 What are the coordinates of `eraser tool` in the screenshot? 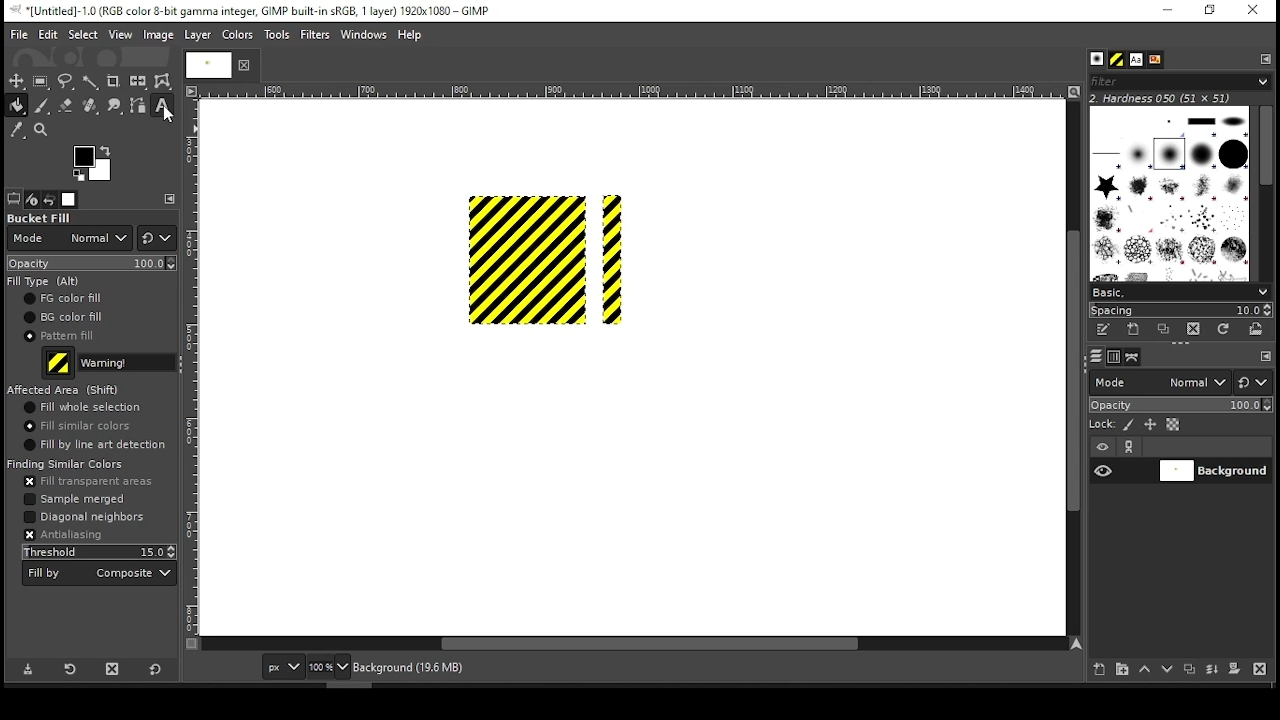 It's located at (65, 105).